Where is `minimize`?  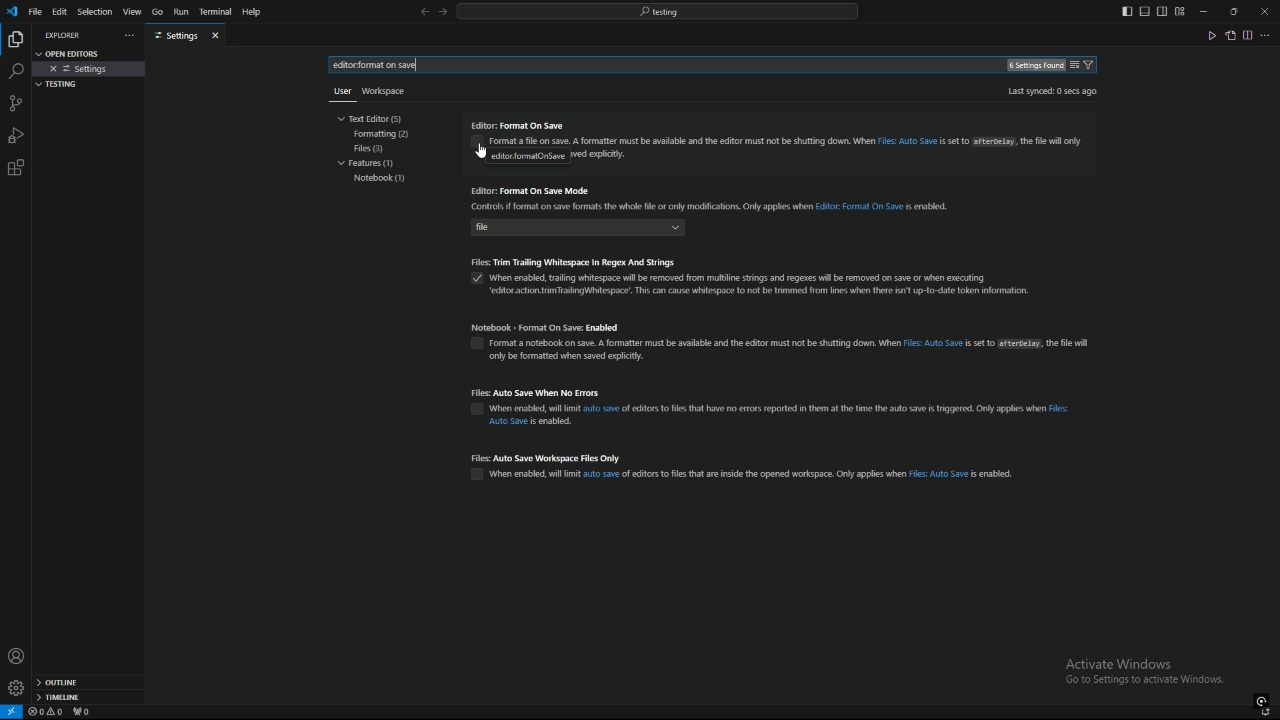 minimize is located at coordinates (1204, 12).